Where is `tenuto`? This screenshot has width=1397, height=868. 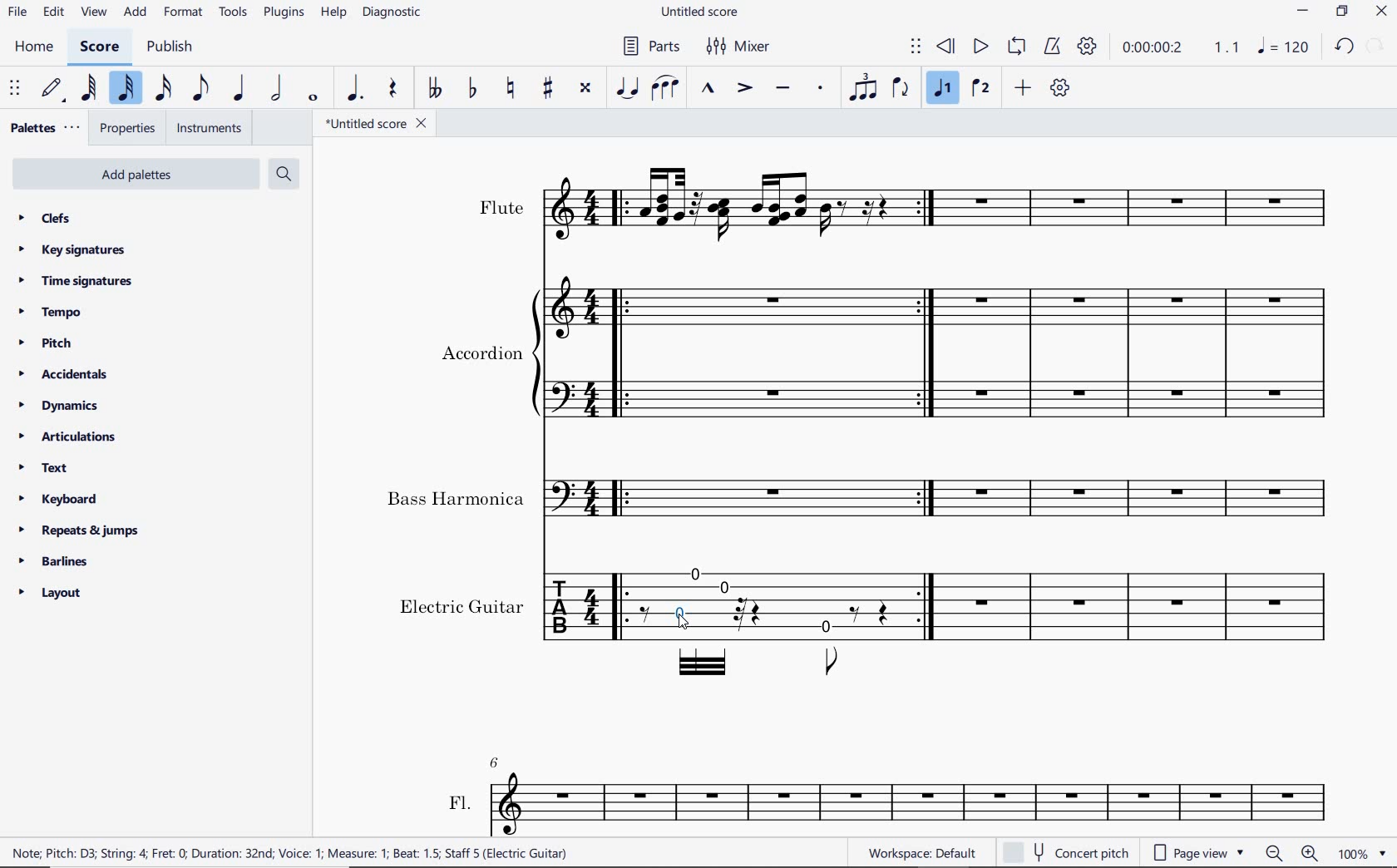 tenuto is located at coordinates (784, 89).